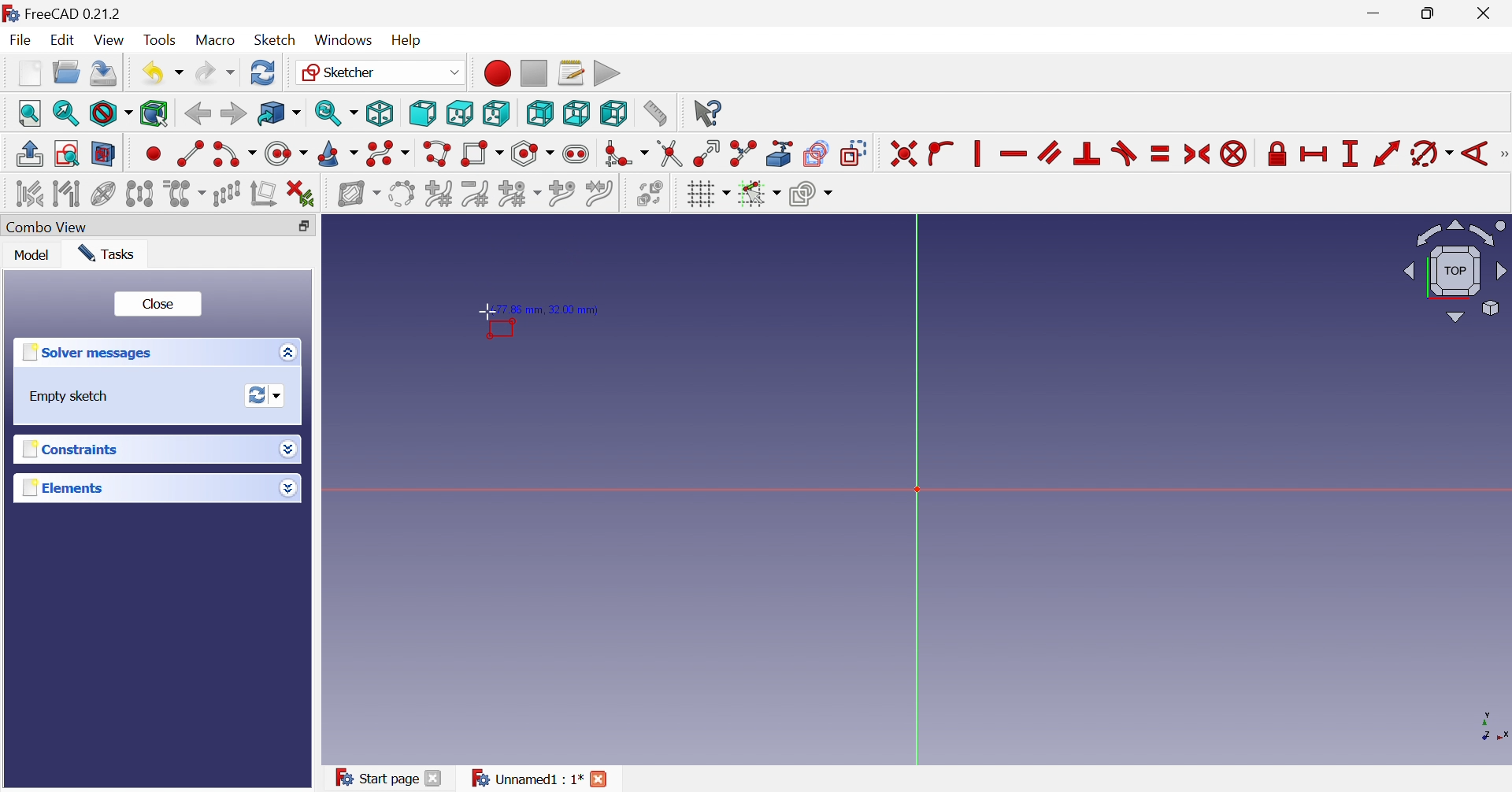  I want to click on Forward, so click(232, 113).